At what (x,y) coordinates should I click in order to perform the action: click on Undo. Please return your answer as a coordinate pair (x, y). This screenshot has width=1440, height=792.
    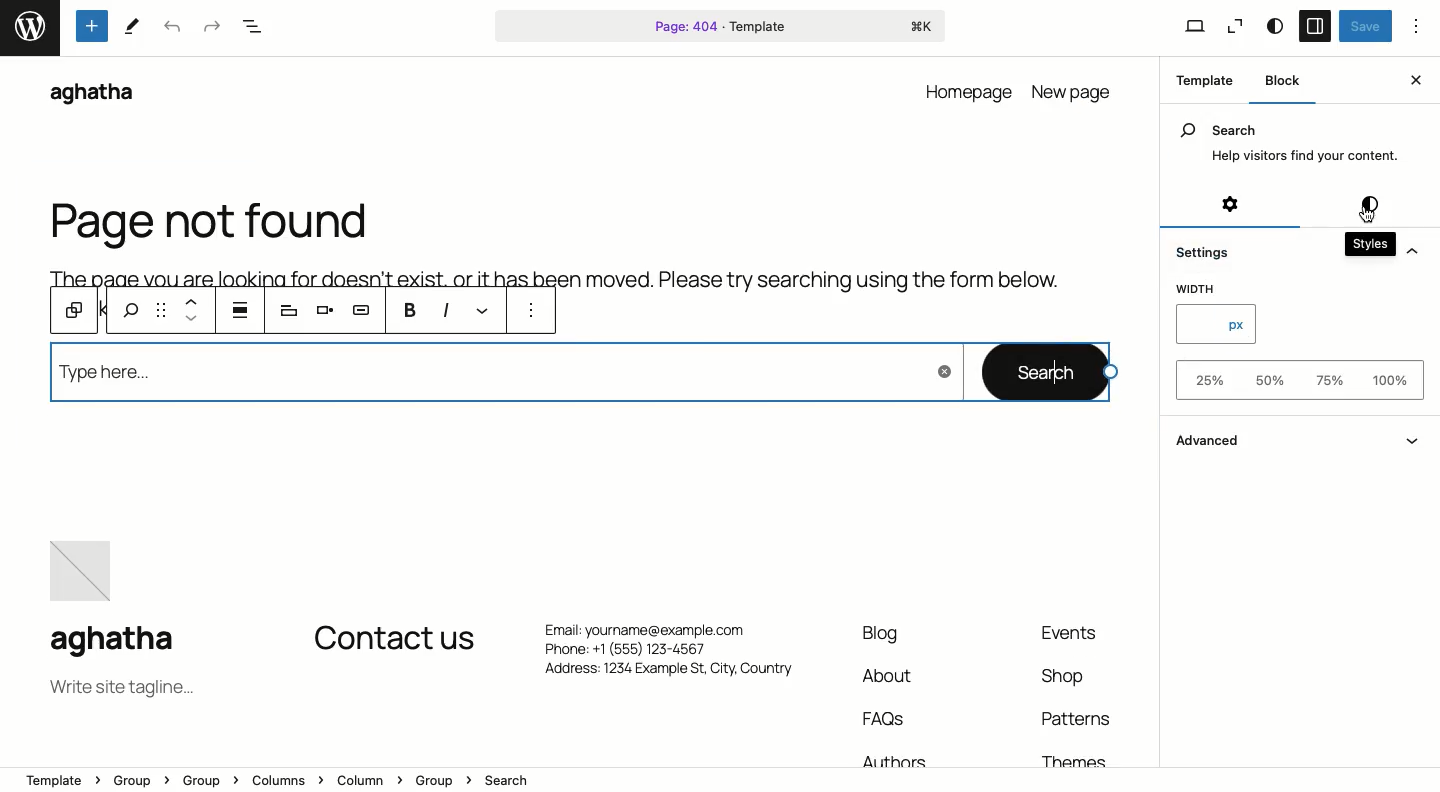
    Looking at the image, I should click on (171, 27).